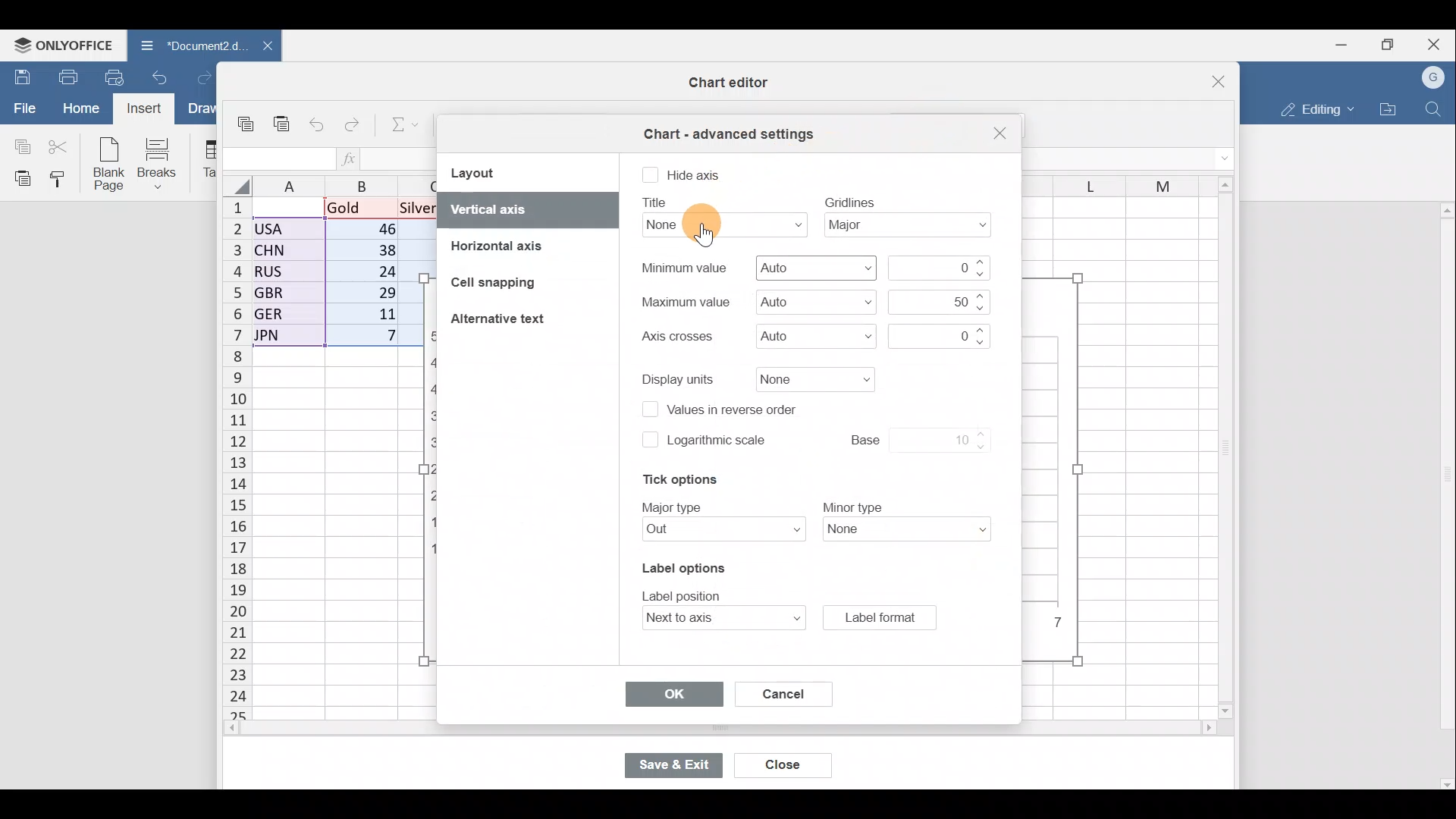  Describe the element at coordinates (184, 45) in the screenshot. I see `Document2.d` at that location.